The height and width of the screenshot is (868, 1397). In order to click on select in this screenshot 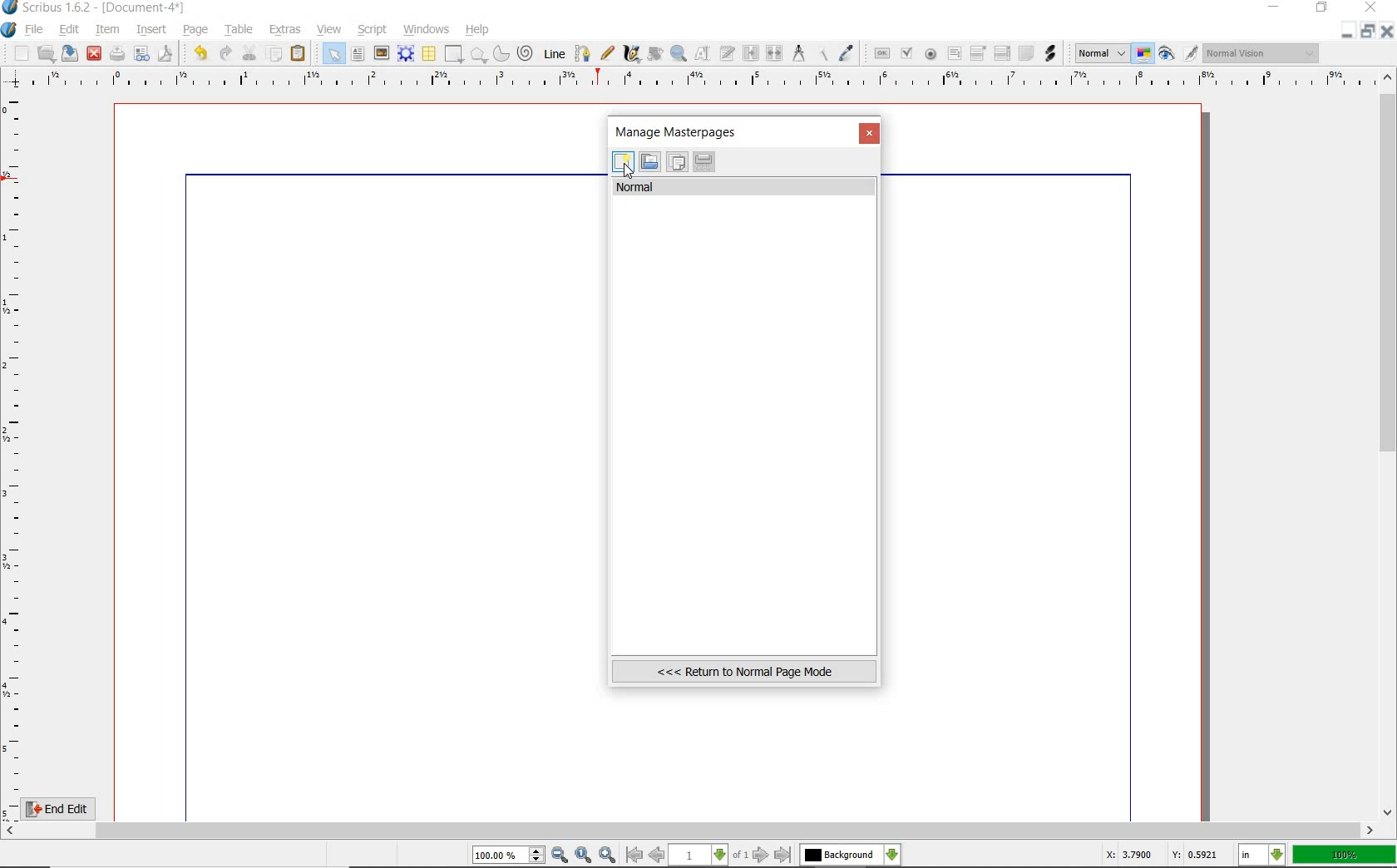, I will do `click(330, 53)`.